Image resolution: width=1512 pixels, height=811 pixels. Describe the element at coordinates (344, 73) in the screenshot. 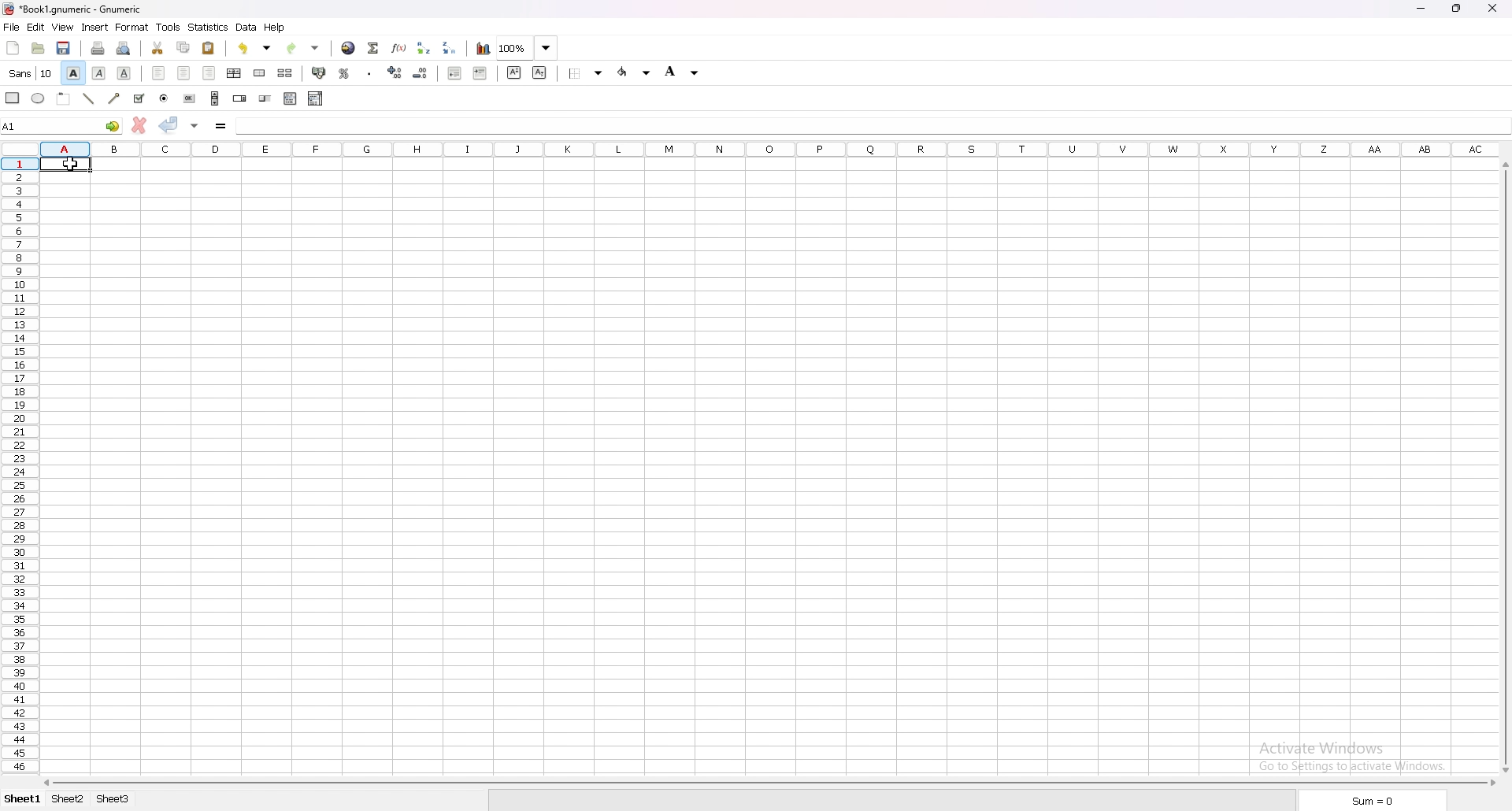

I see `percentage` at that location.